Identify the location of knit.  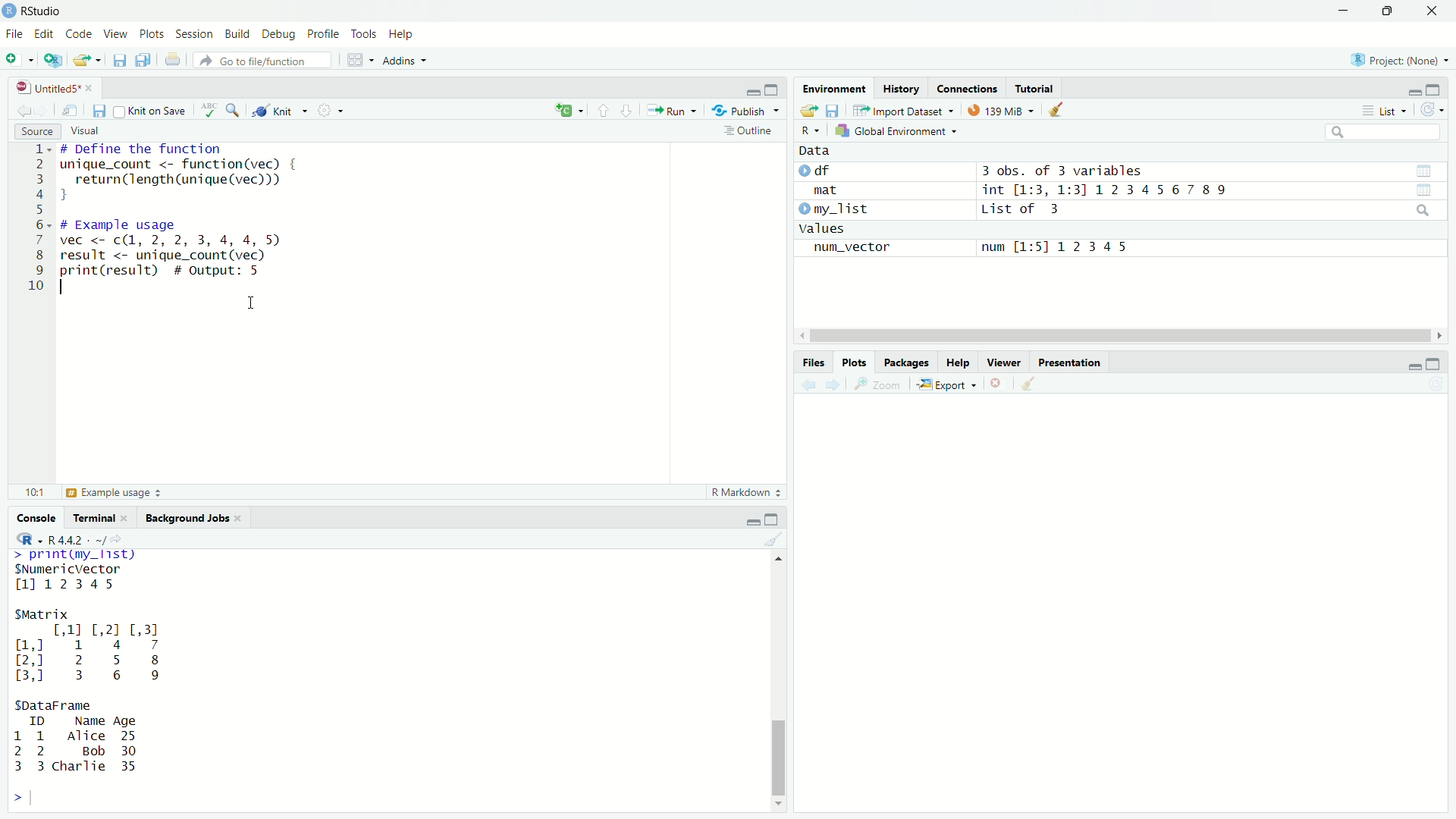
(280, 111).